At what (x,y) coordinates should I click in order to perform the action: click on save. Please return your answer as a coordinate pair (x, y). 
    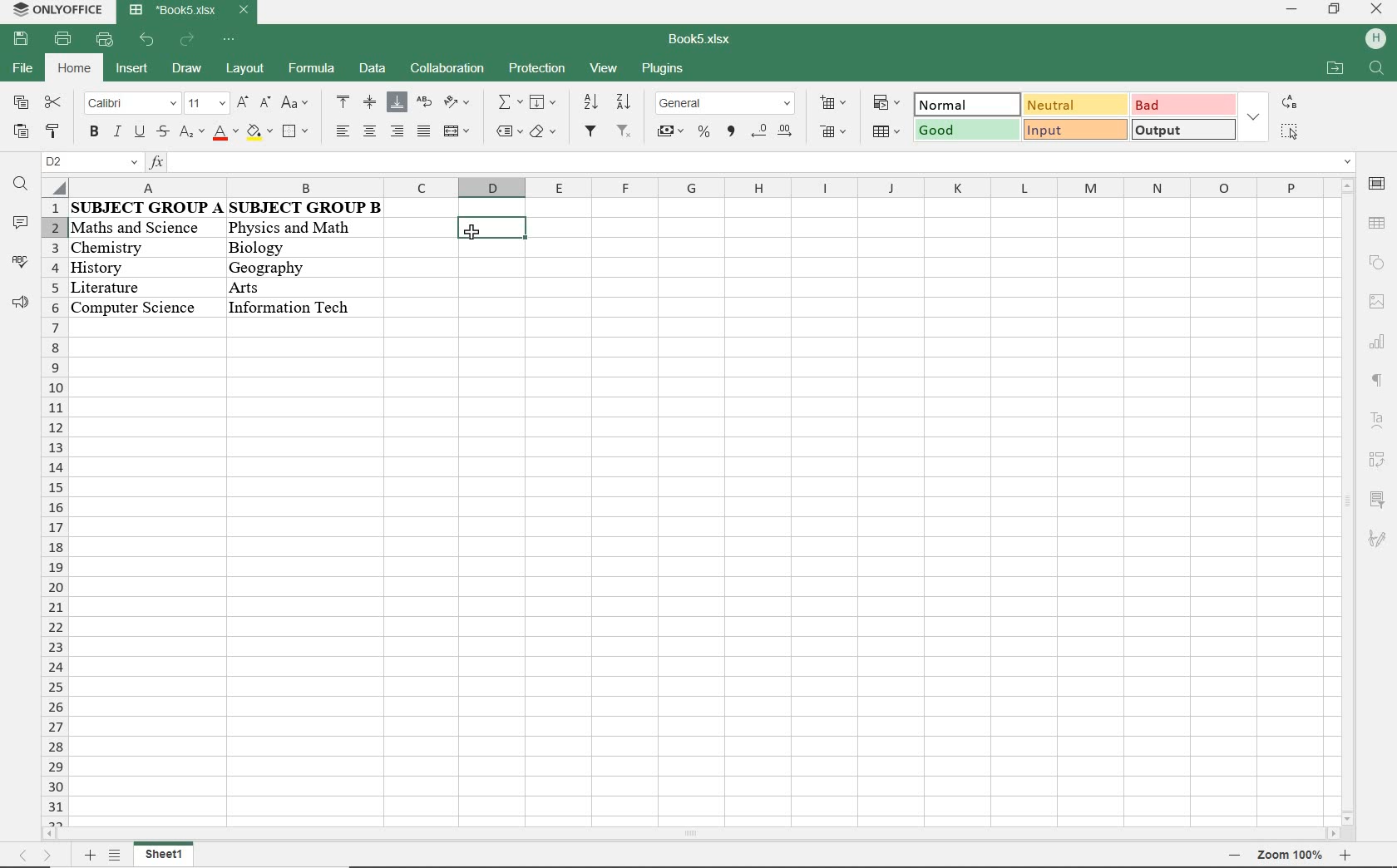
    Looking at the image, I should click on (21, 40).